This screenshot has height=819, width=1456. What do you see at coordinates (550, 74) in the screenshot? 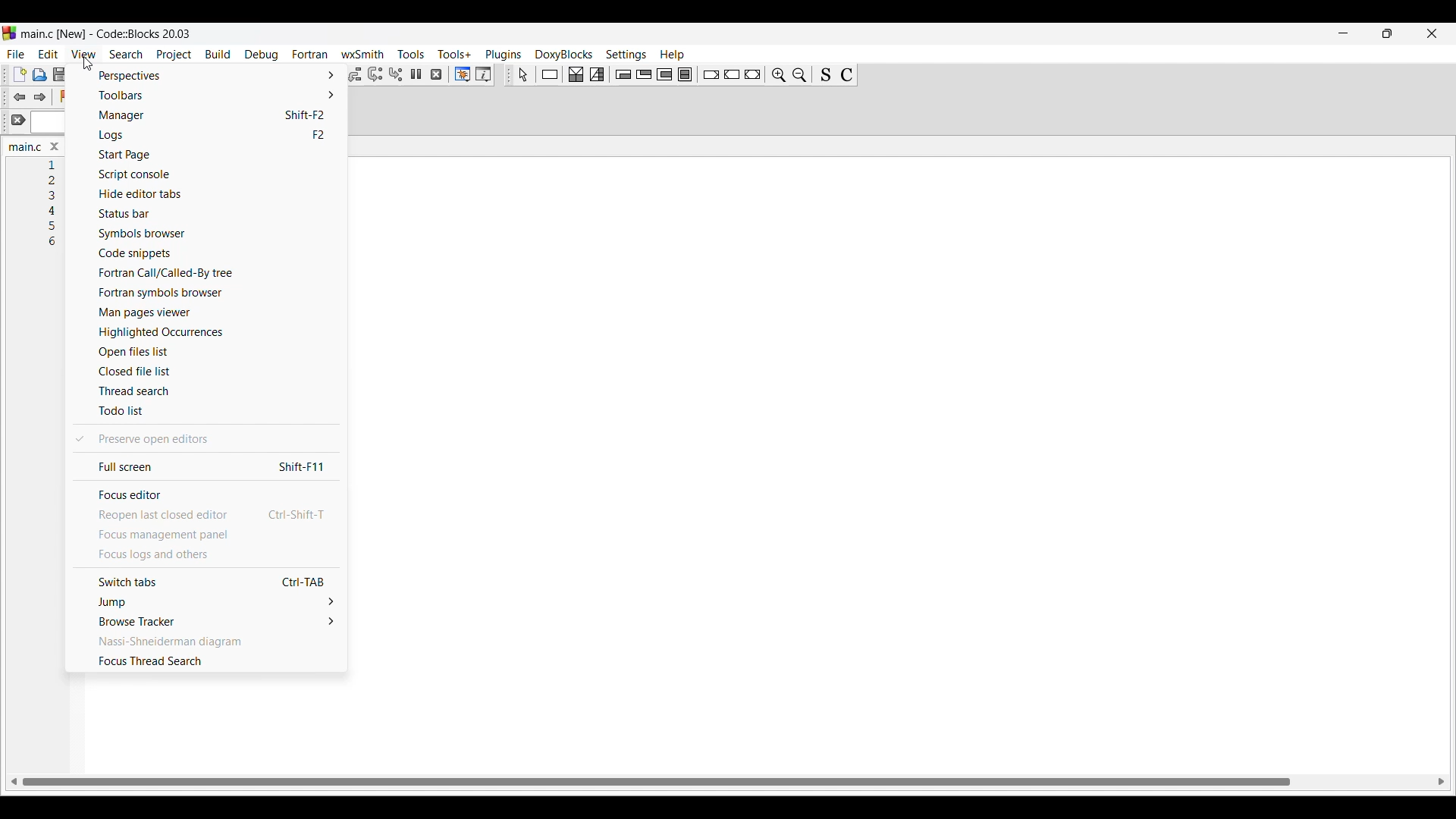
I see `Instruction` at bounding box center [550, 74].